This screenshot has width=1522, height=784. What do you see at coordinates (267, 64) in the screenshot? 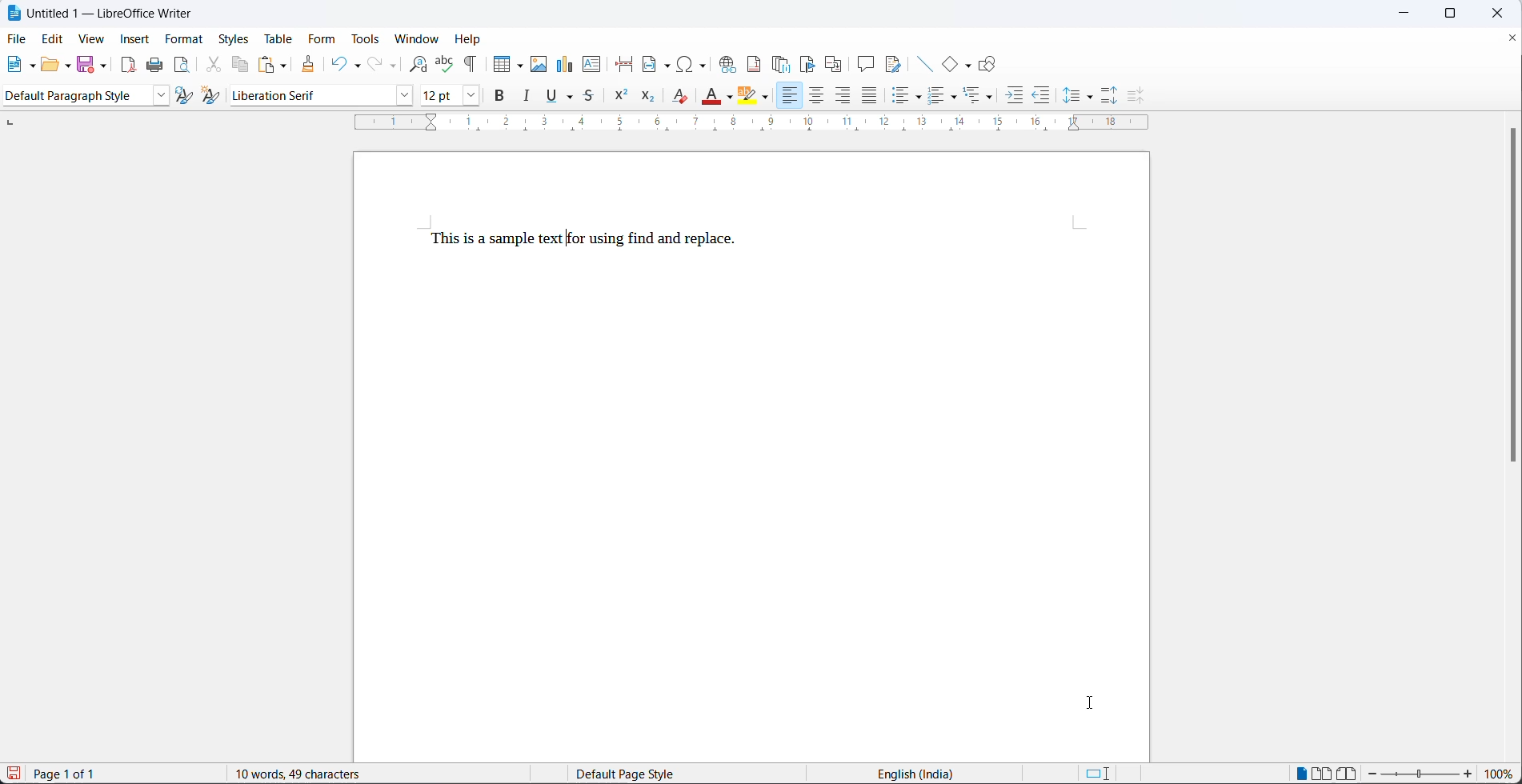
I see `paste` at bounding box center [267, 64].